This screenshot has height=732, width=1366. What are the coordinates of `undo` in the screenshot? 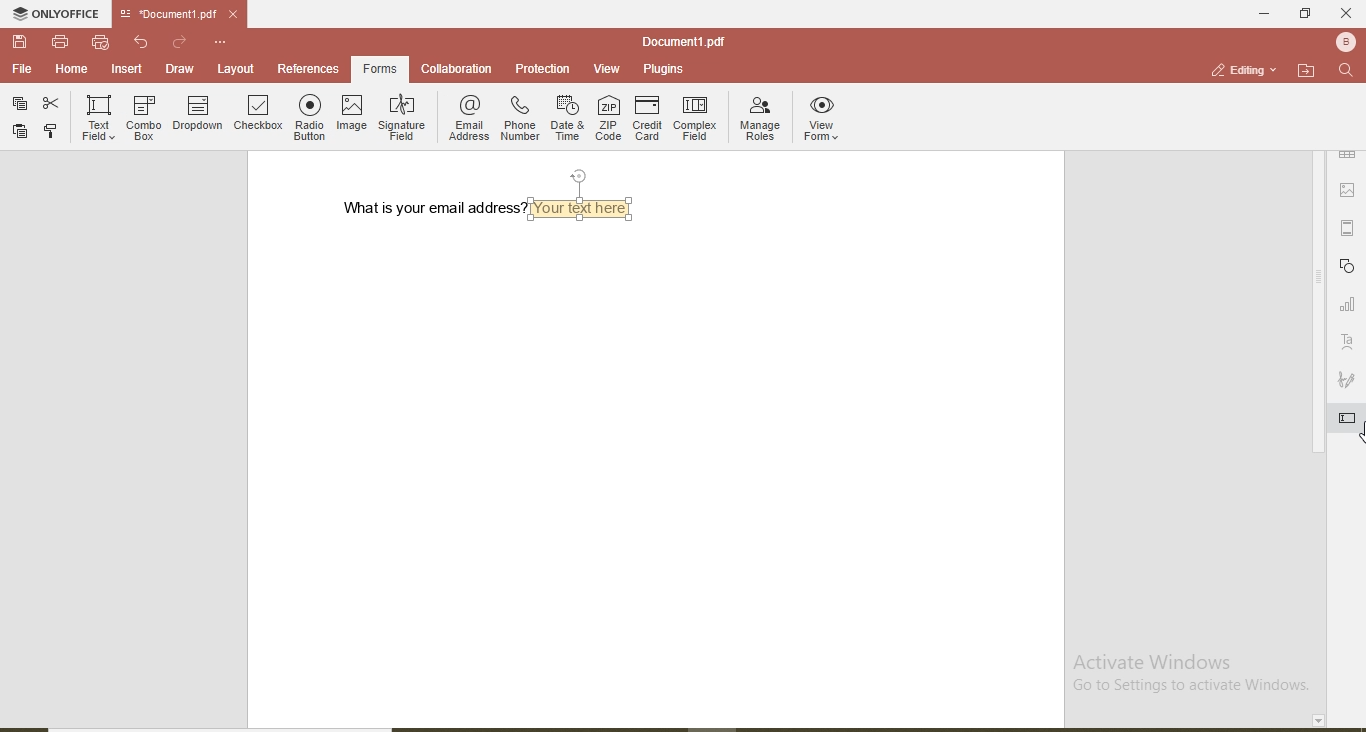 It's located at (144, 42).